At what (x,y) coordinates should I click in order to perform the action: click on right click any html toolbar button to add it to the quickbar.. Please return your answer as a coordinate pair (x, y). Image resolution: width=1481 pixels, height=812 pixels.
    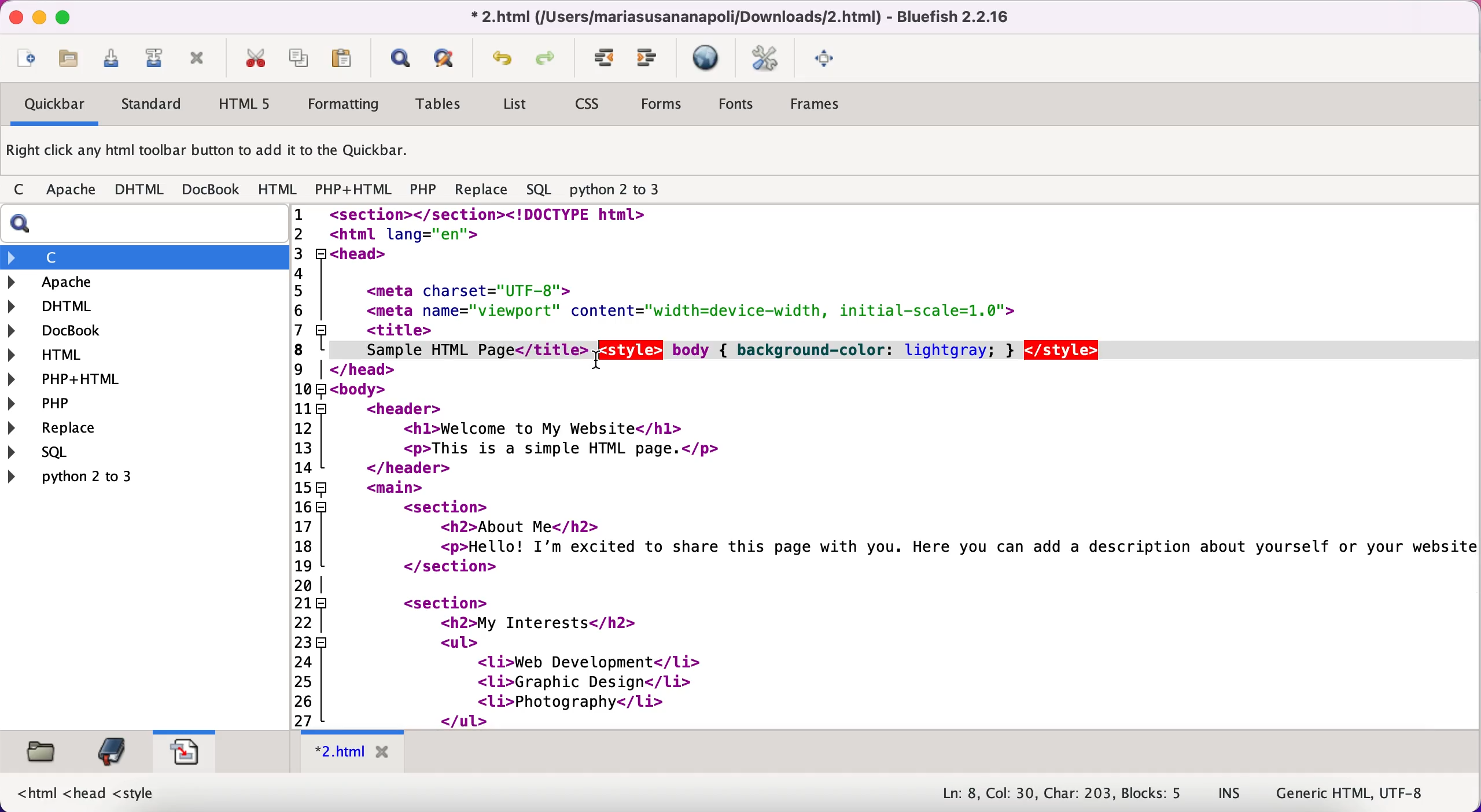
    Looking at the image, I should click on (210, 153).